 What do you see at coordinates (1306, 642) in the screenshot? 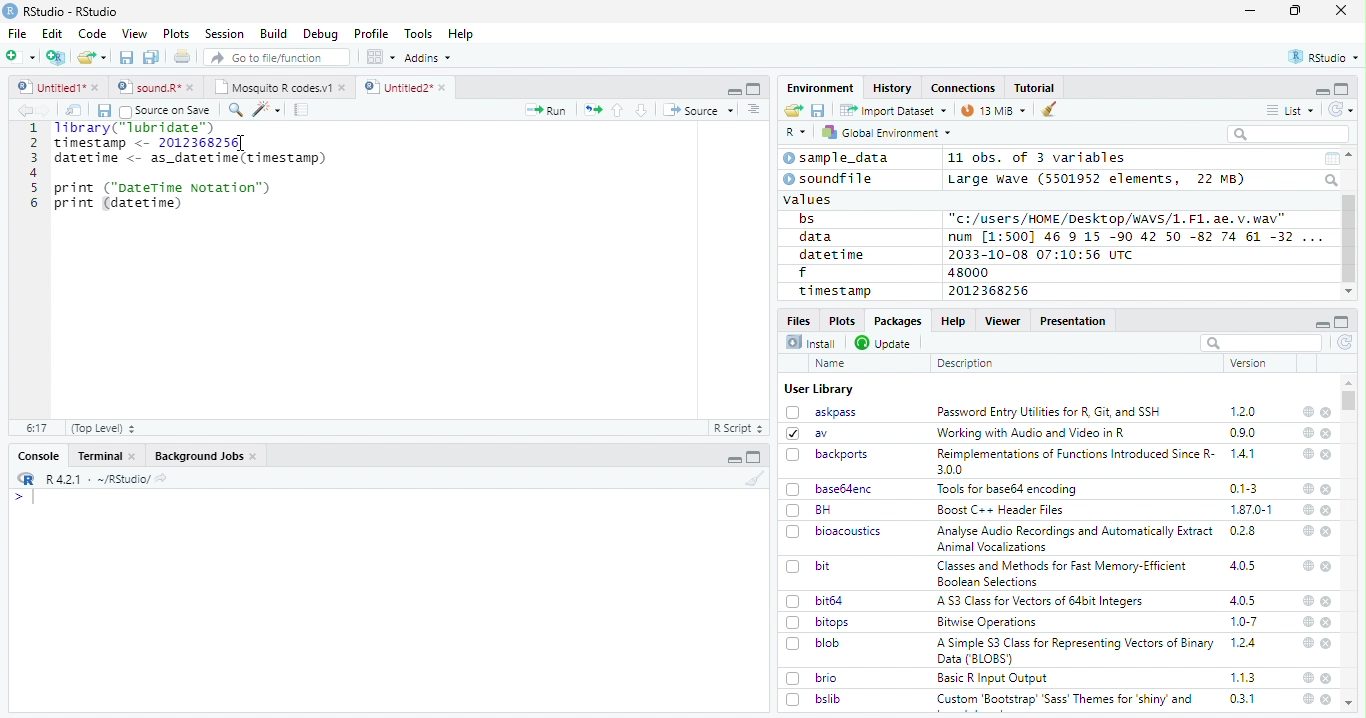
I see `help` at bounding box center [1306, 642].